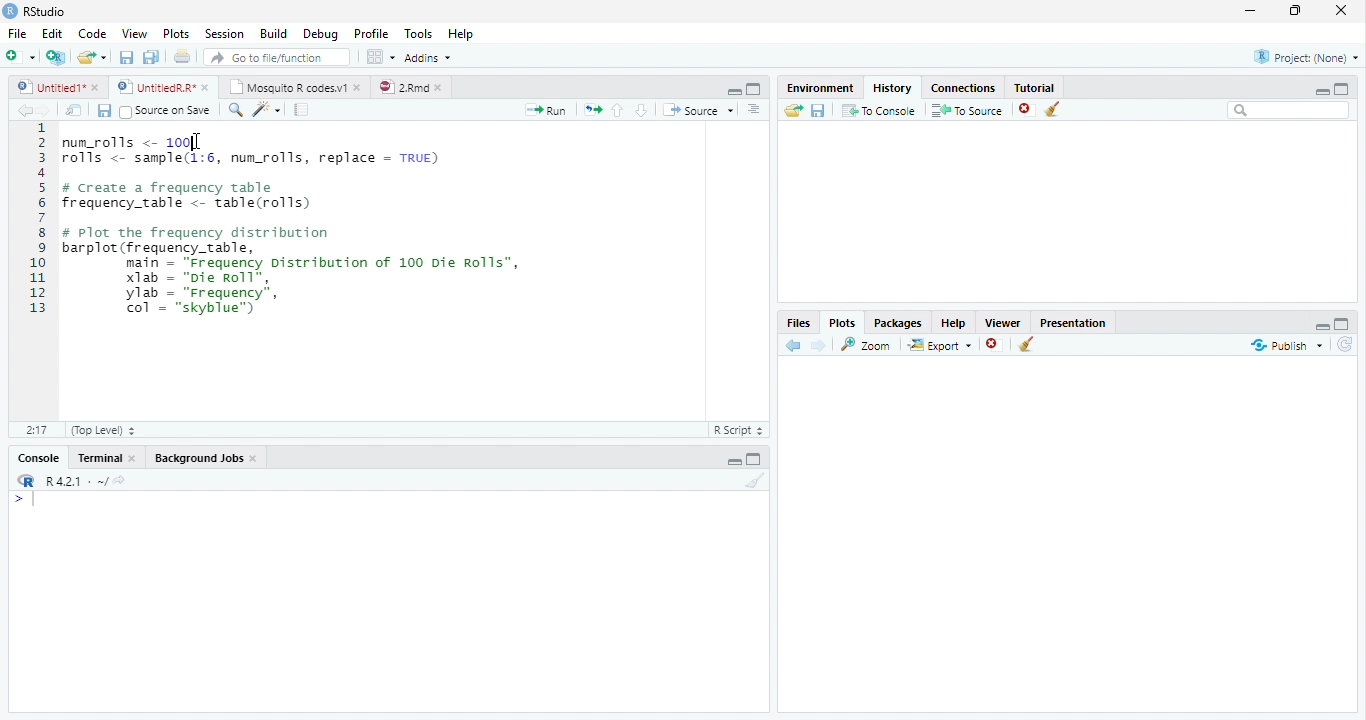 This screenshot has height=720, width=1366. What do you see at coordinates (967, 110) in the screenshot?
I see `To Source` at bounding box center [967, 110].